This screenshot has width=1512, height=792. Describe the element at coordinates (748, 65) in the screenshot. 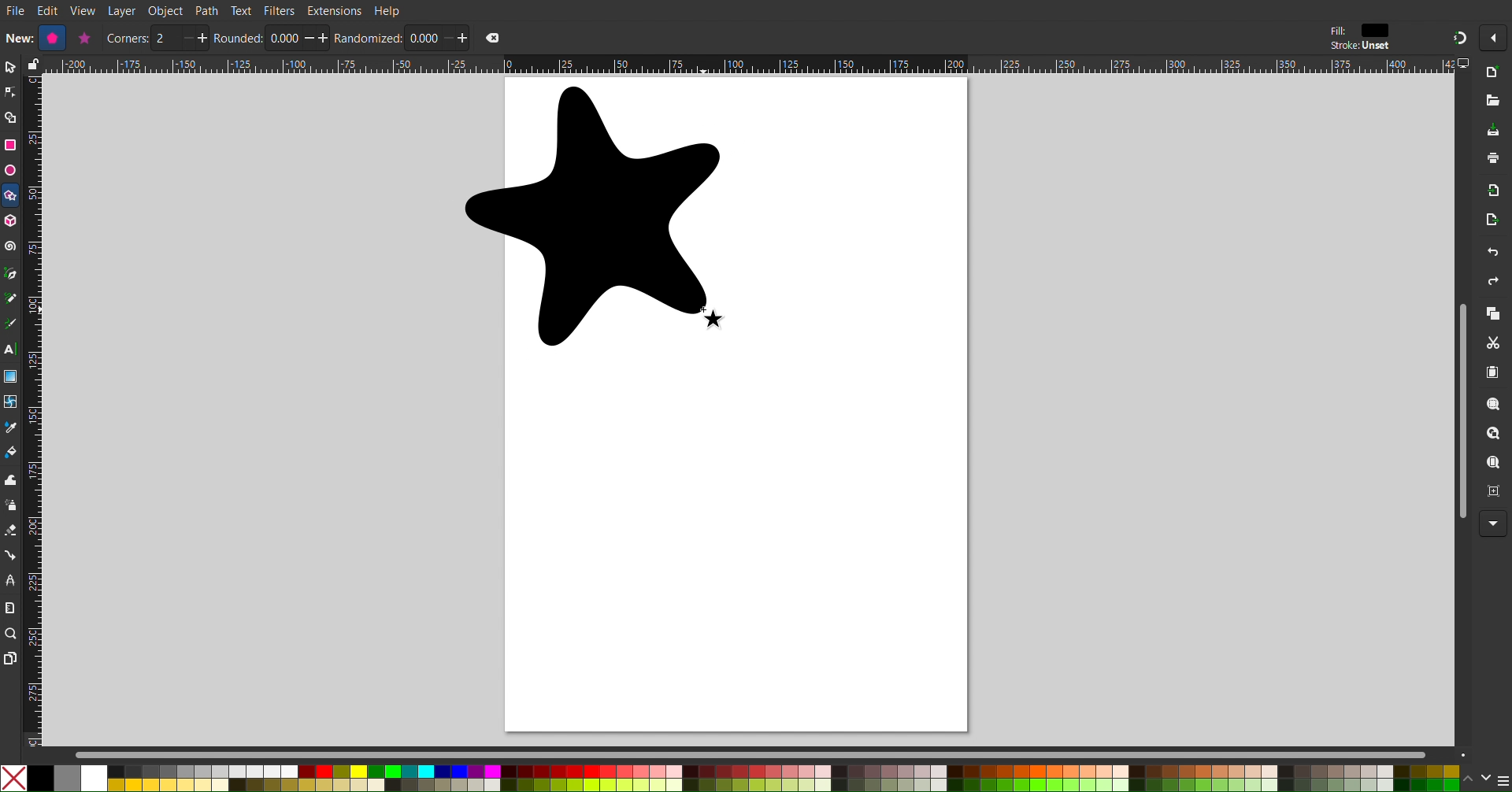

I see `Horizontal Ruler` at that location.